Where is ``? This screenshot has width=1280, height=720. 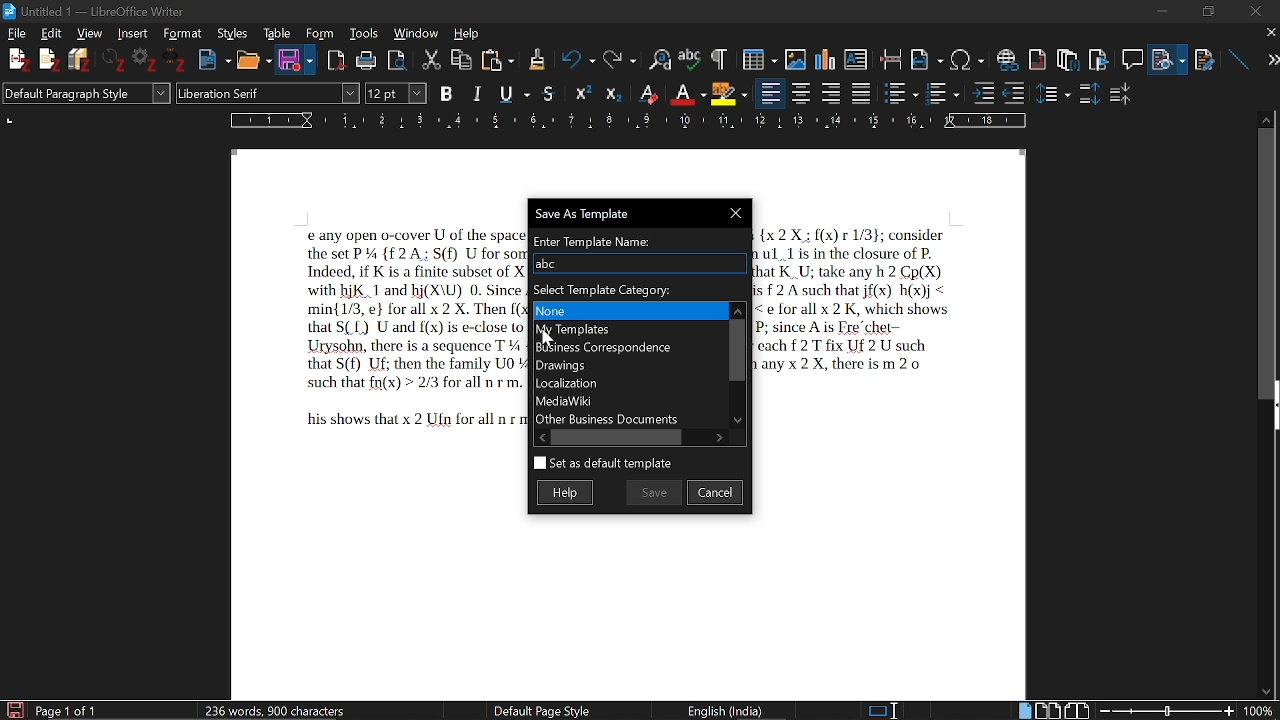  is located at coordinates (178, 62).